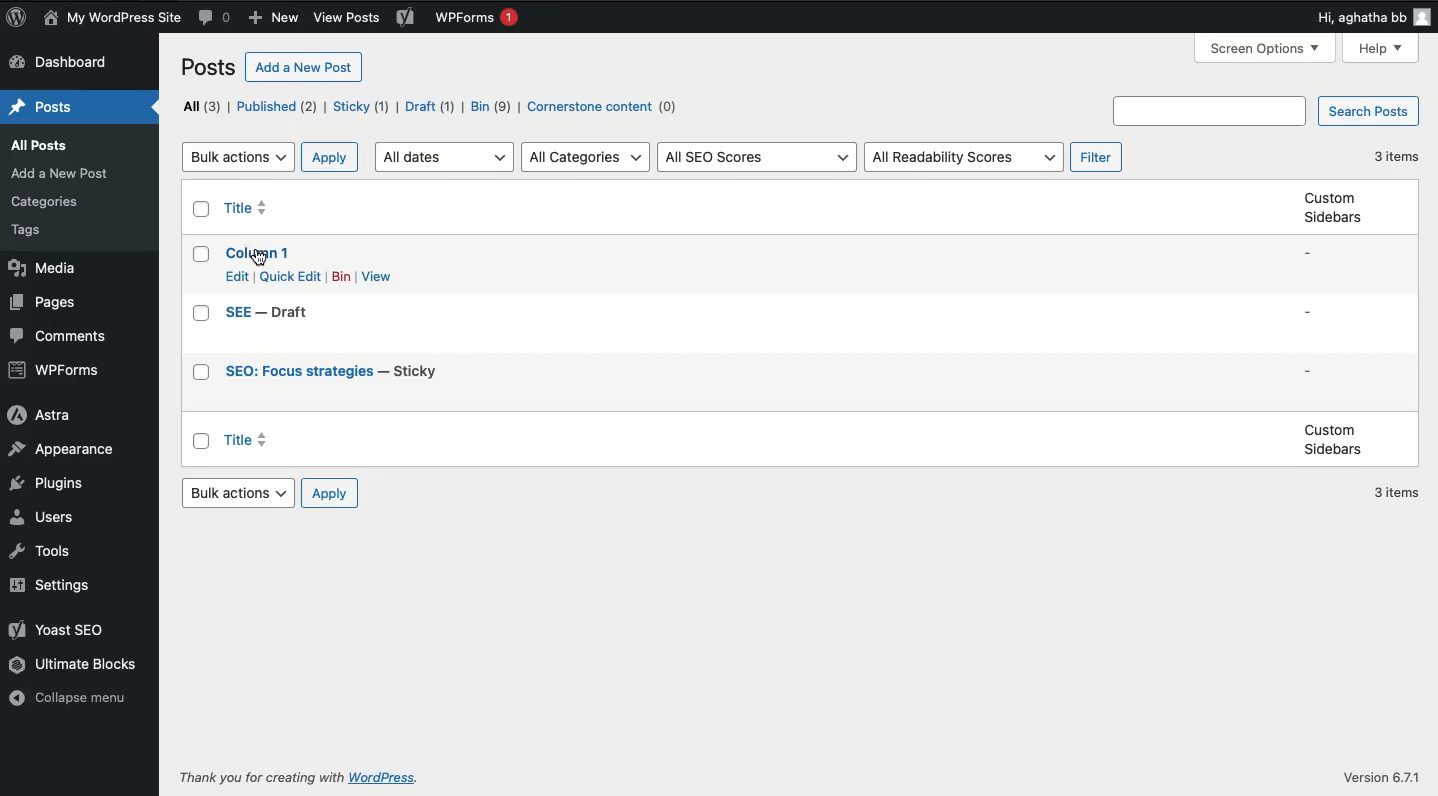 Image resolution: width=1438 pixels, height=796 pixels. What do you see at coordinates (330, 493) in the screenshot?
I see `Apply` at bounding box center [330, 493].